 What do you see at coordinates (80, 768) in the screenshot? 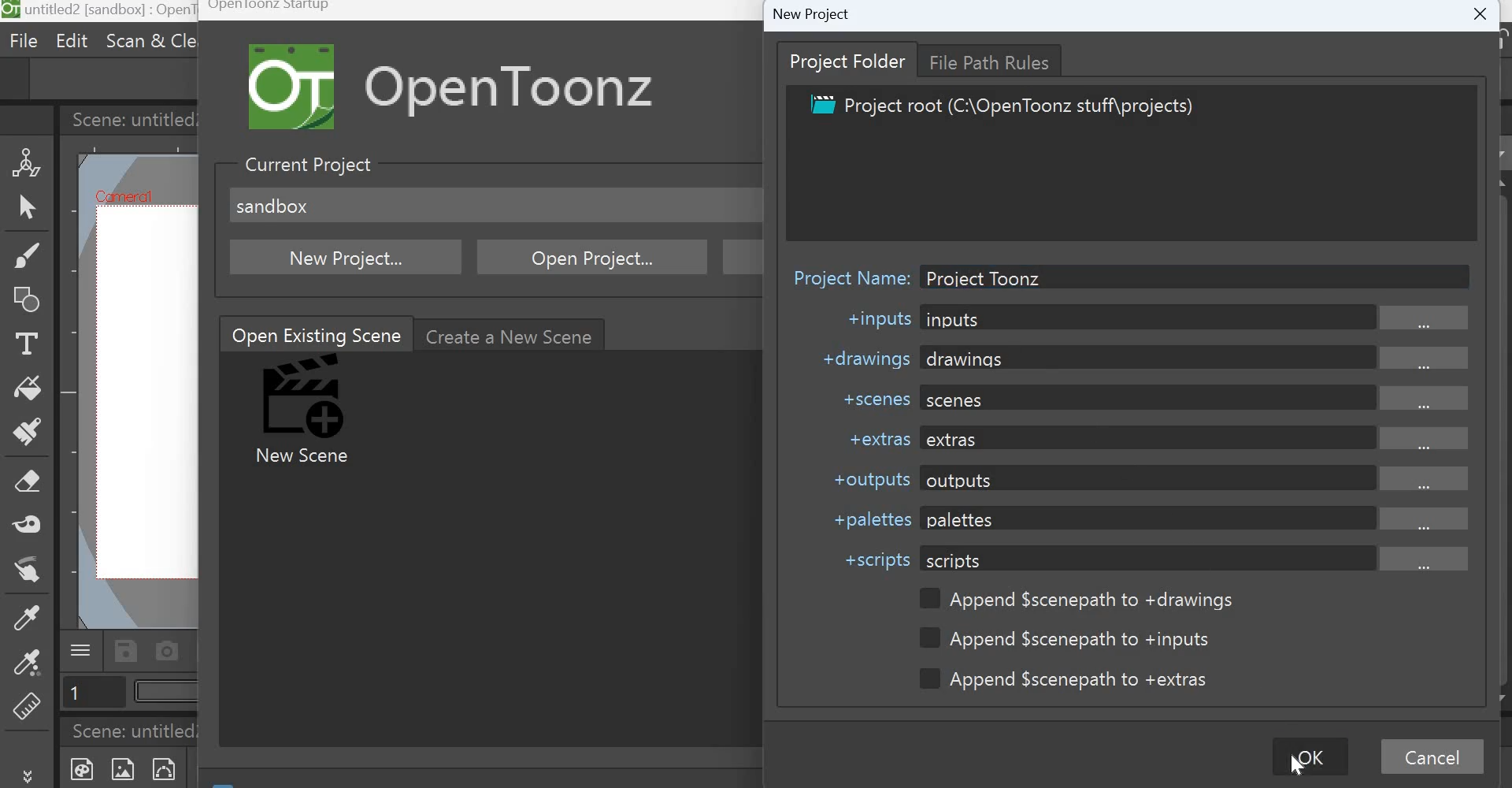
I see `New Toonz Raster Level` at bounding box center [80, 768].